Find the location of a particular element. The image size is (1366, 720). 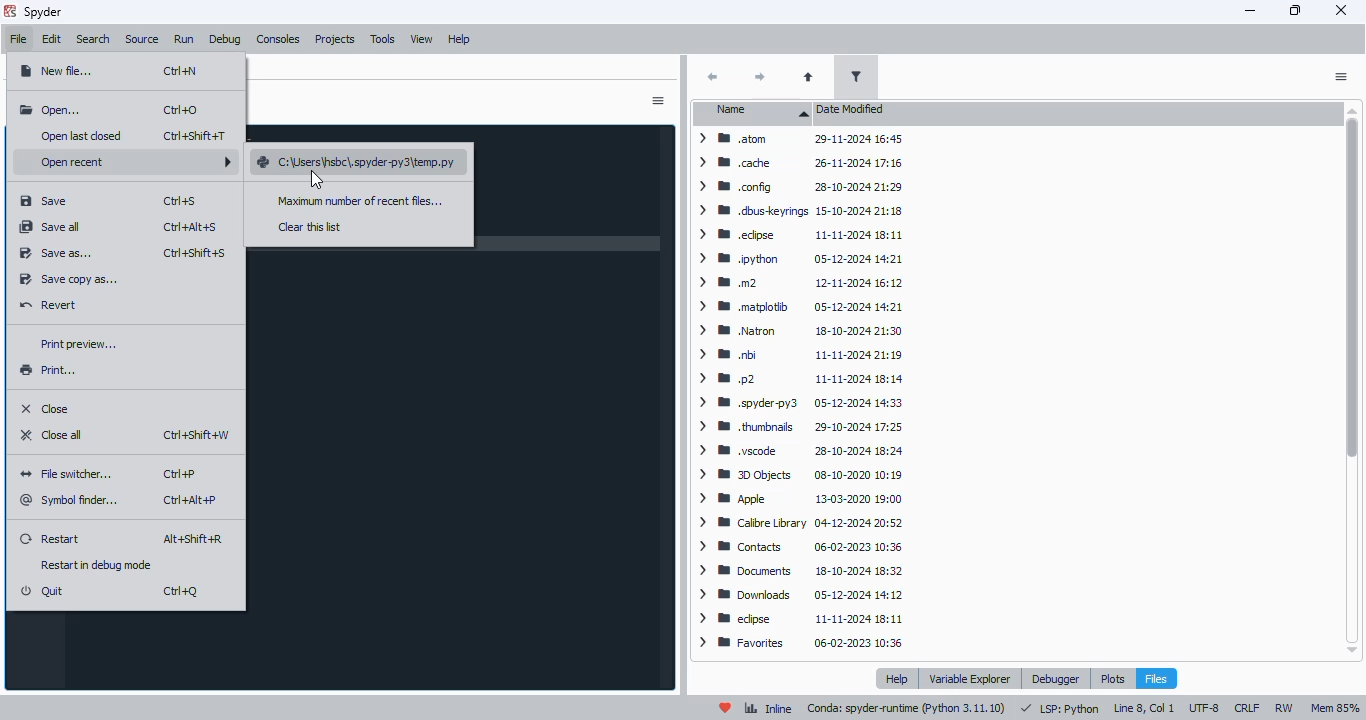

shortcut for new file is located at coordinates (181, 71).